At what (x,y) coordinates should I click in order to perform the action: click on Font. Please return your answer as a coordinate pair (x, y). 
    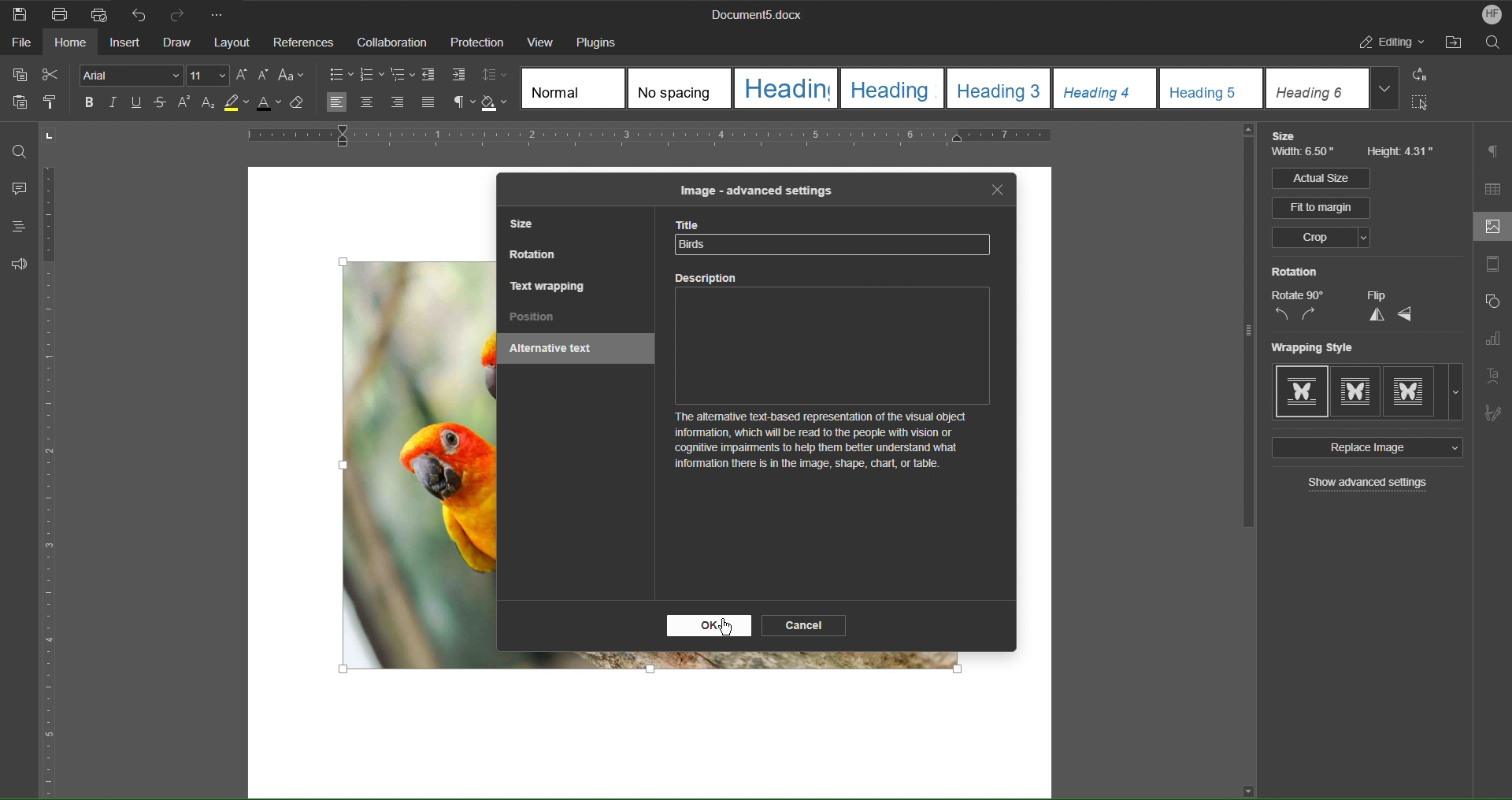
    Looking at the image, I should click on (127, 75).